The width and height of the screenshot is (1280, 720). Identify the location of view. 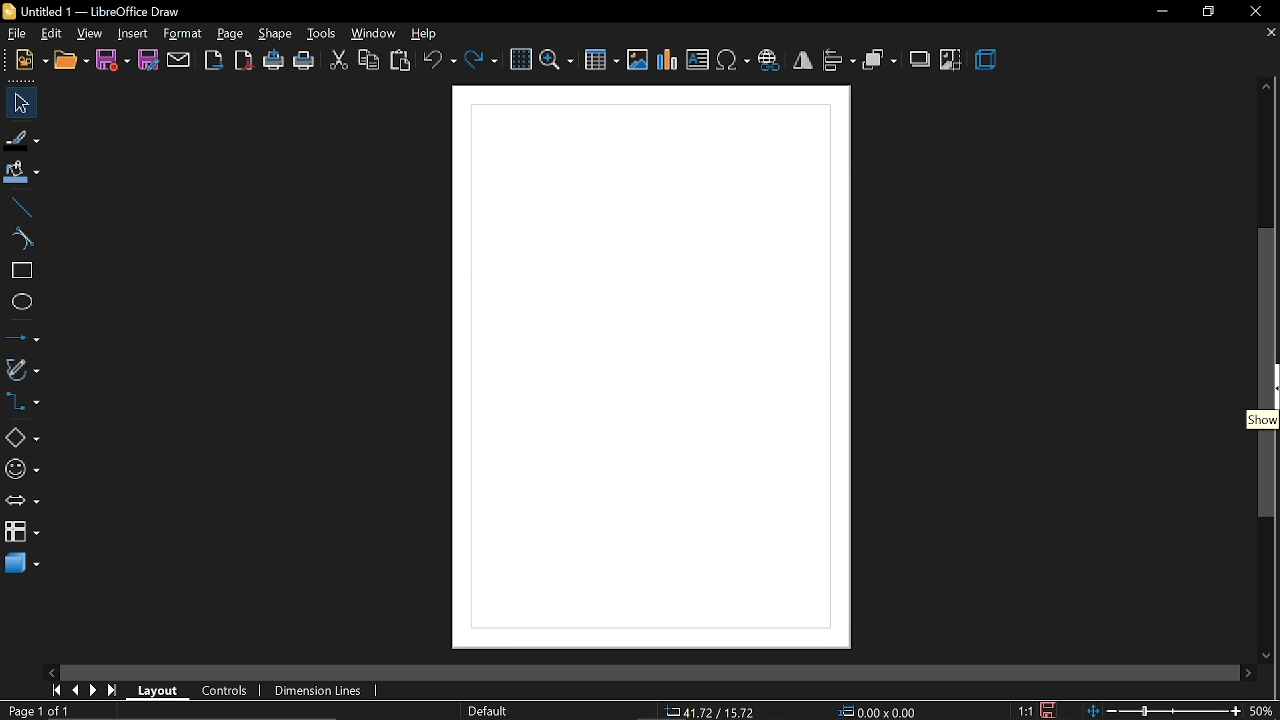
(87, 34).